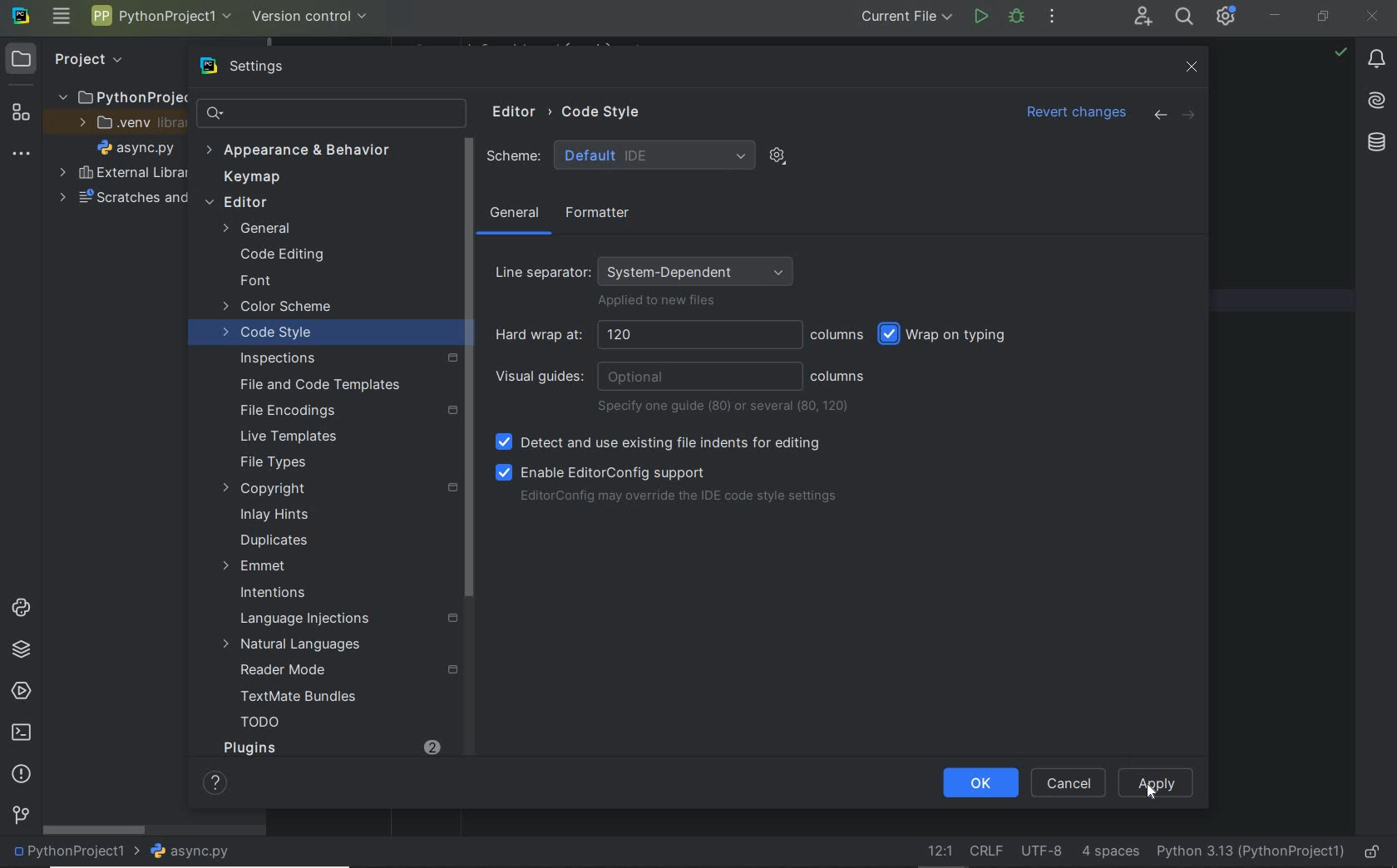  What do you see at coordinates (20, 692) in the screenshot?
I see `services` at bounding box center [20, 692].